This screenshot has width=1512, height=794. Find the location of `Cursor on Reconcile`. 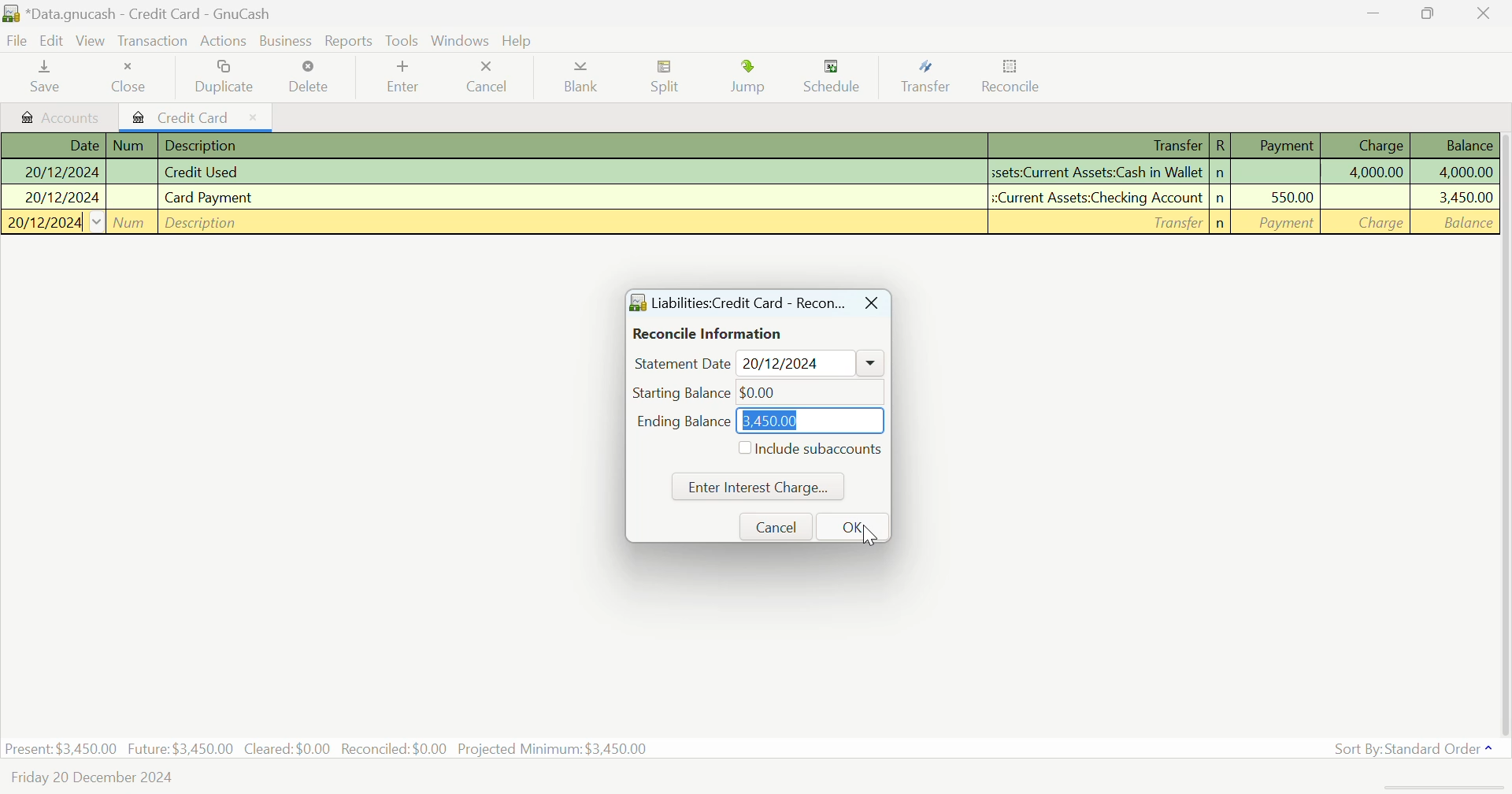

Cursor on Reconcile is located at coordinates (1010, 79).